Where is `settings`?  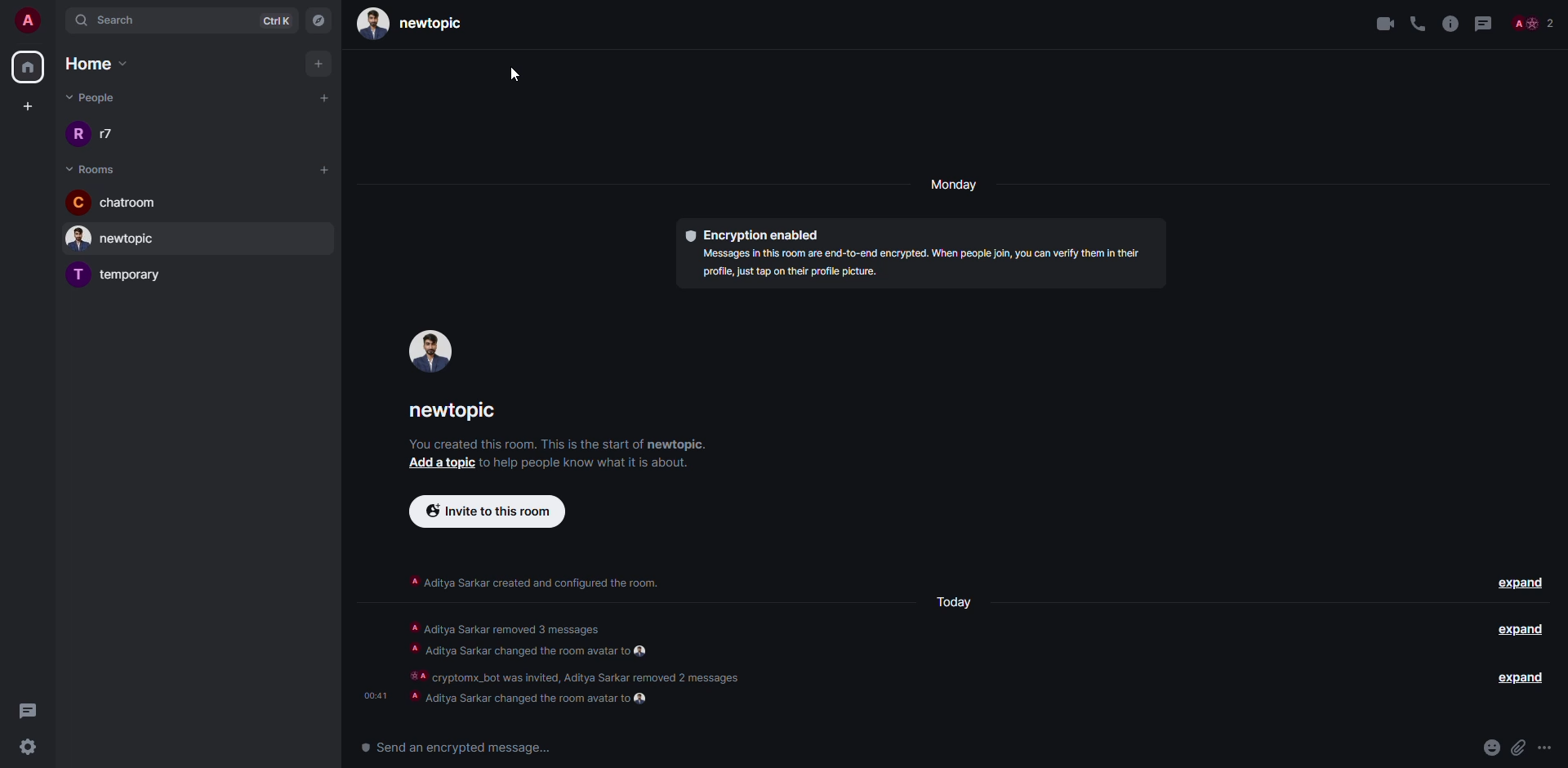
settings is located at coordinates (27, 748).